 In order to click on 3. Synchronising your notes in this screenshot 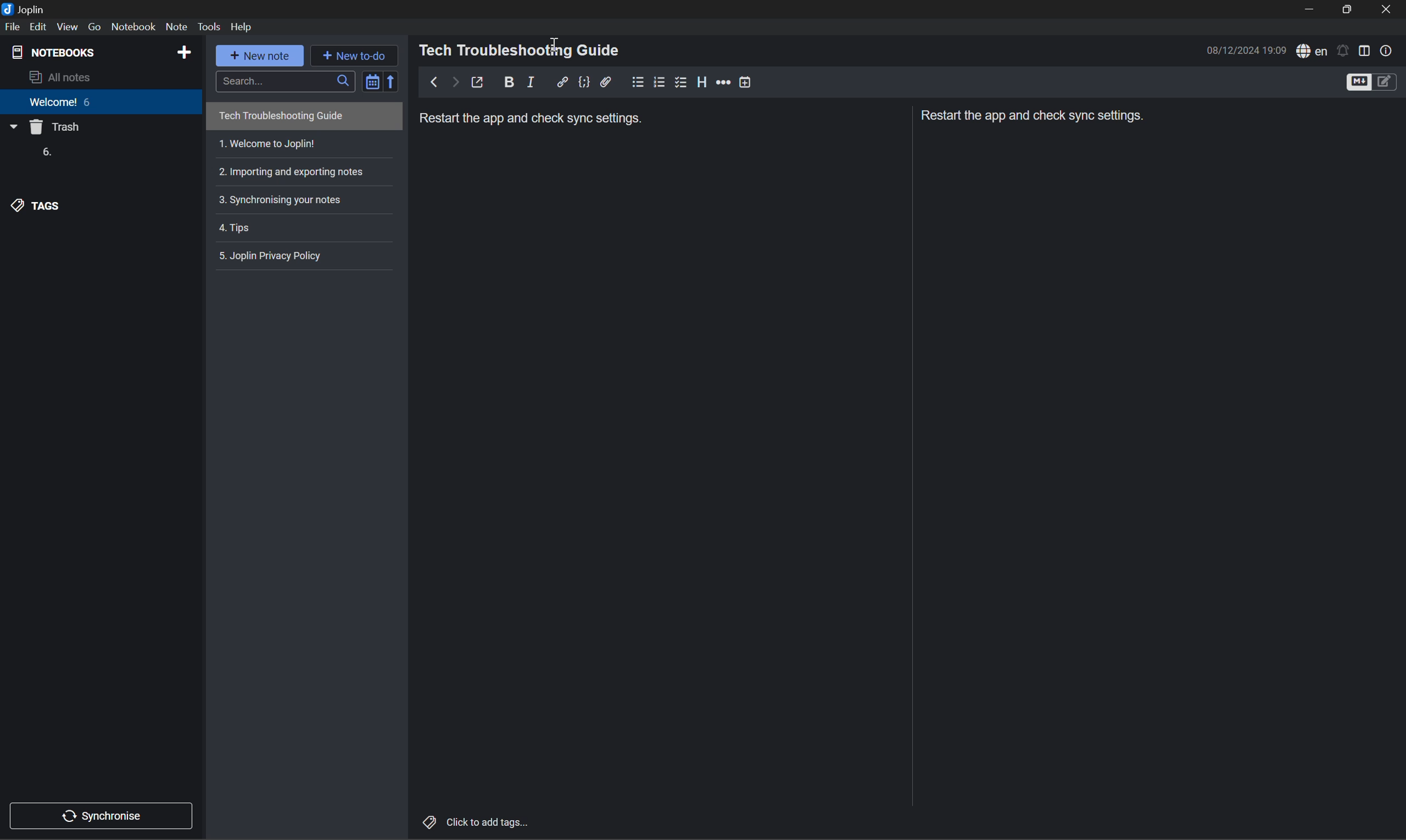, I will do `click(283, 199)`.